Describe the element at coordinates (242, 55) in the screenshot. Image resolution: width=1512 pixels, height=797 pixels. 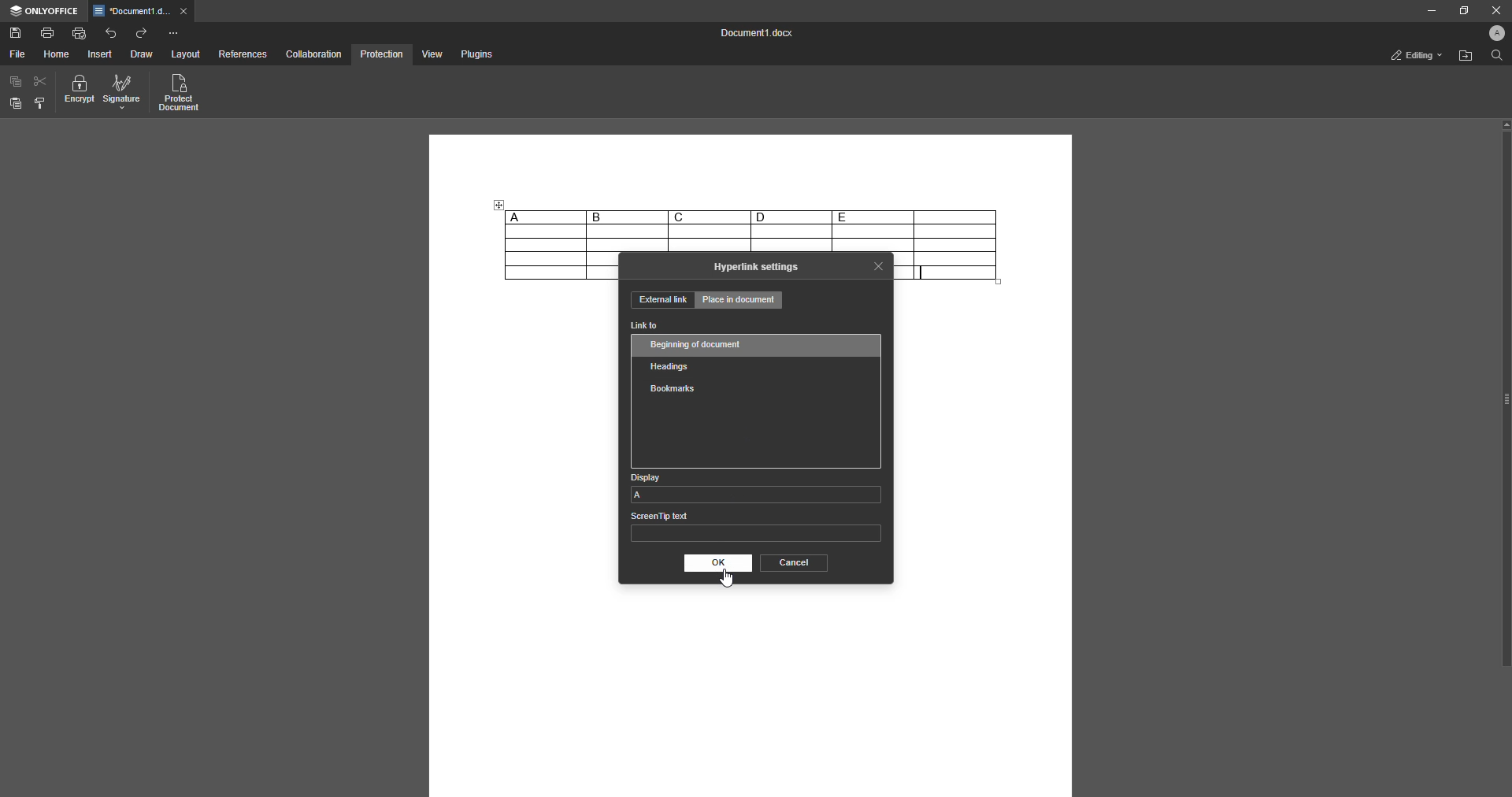
I see `References` at that location.